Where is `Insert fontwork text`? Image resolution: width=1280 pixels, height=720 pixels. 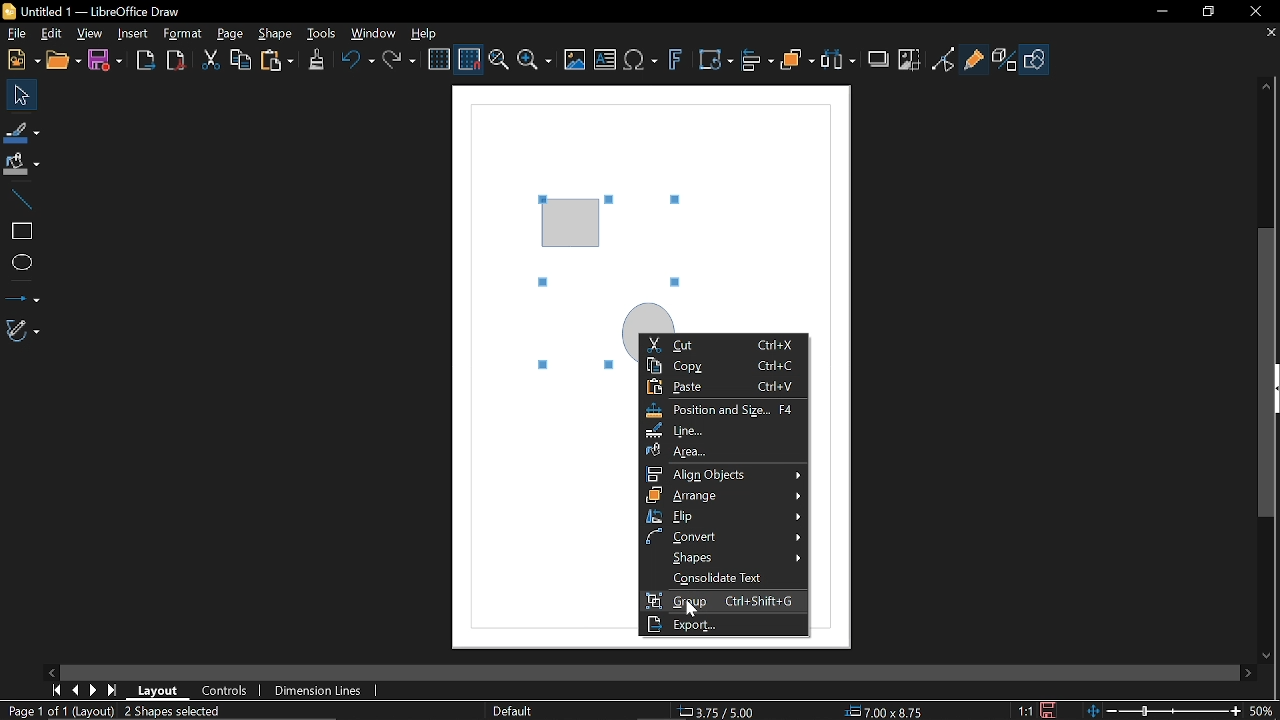
Insert fontwork text is located at coordinates (675, 61).